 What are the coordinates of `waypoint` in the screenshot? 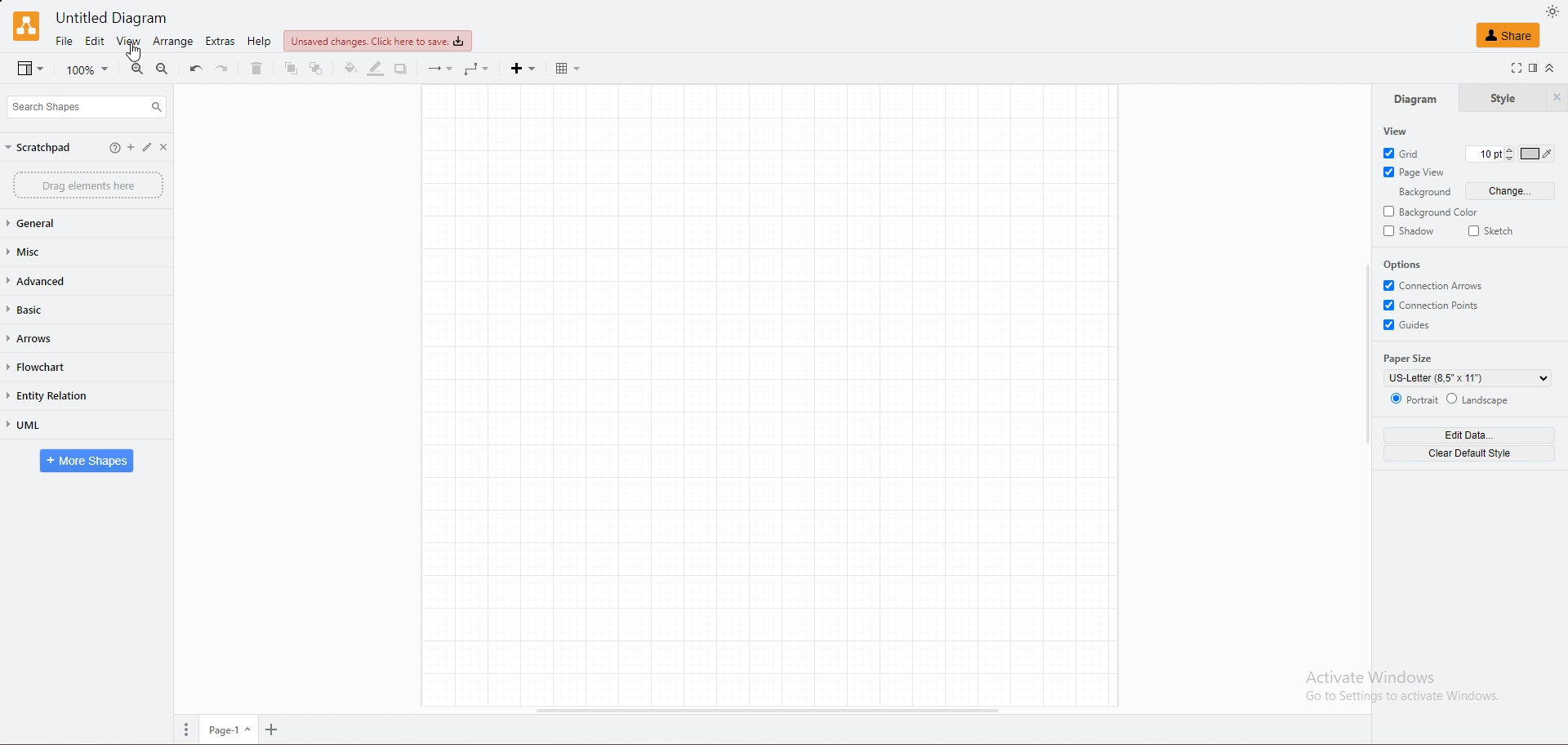 It's located at (479, 69).